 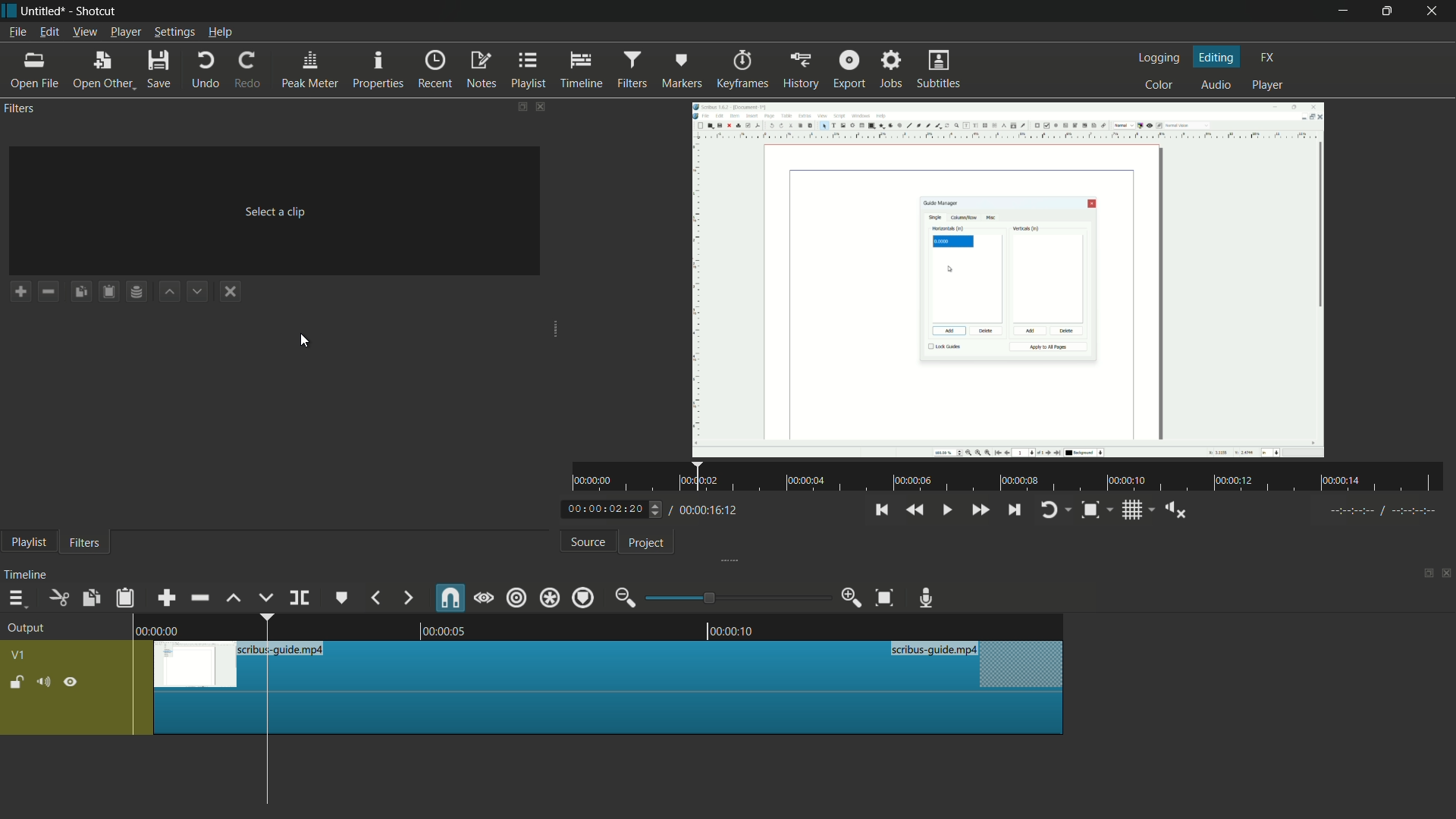 What do you see at coordinates (1157, 58) in the screenshot?
I see `logging` at bounding box center [1157, 58].